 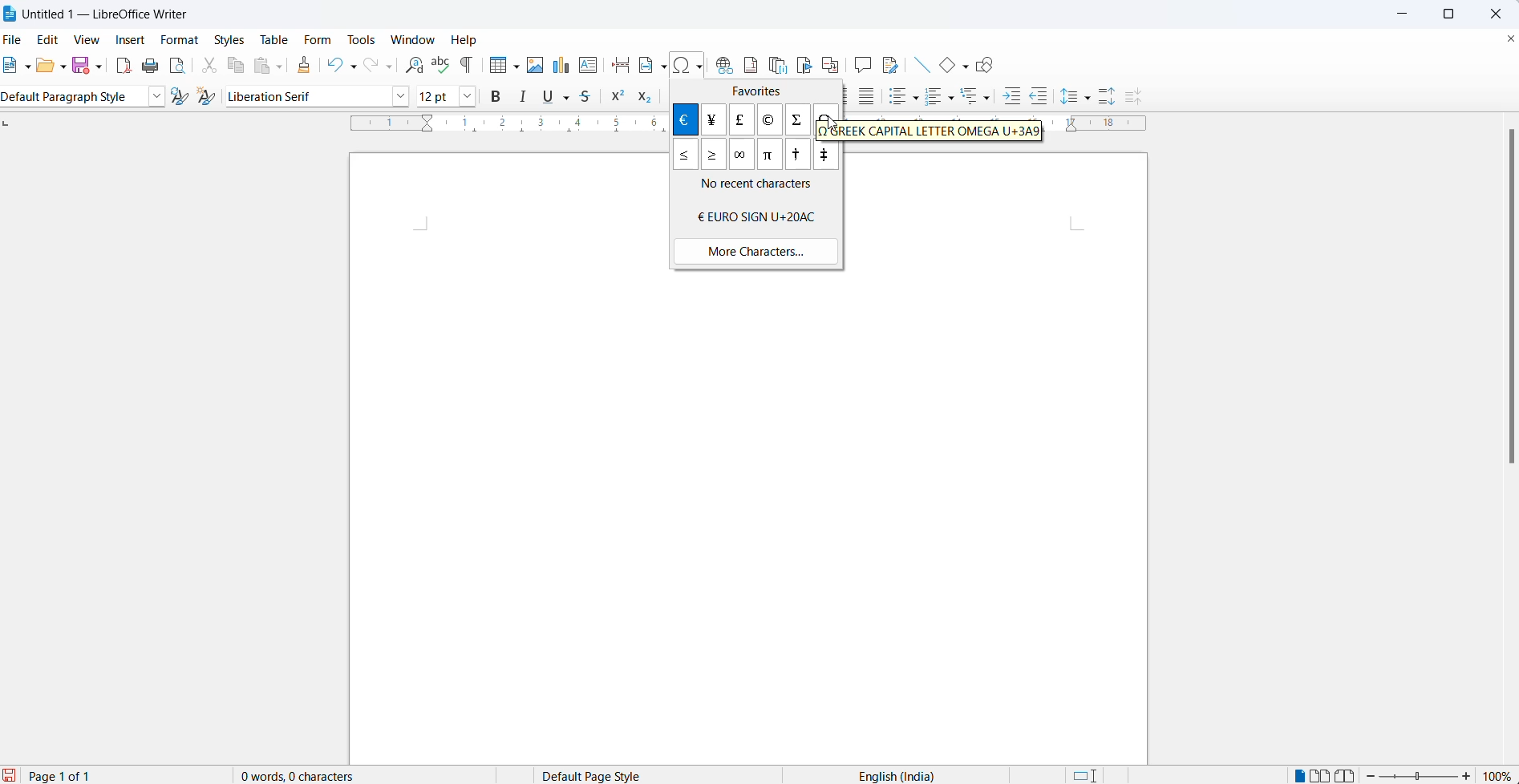 What do you see at coordinates (663, 67) in the screenshot?
I see `insert fields` at bounding box center [663, 67].